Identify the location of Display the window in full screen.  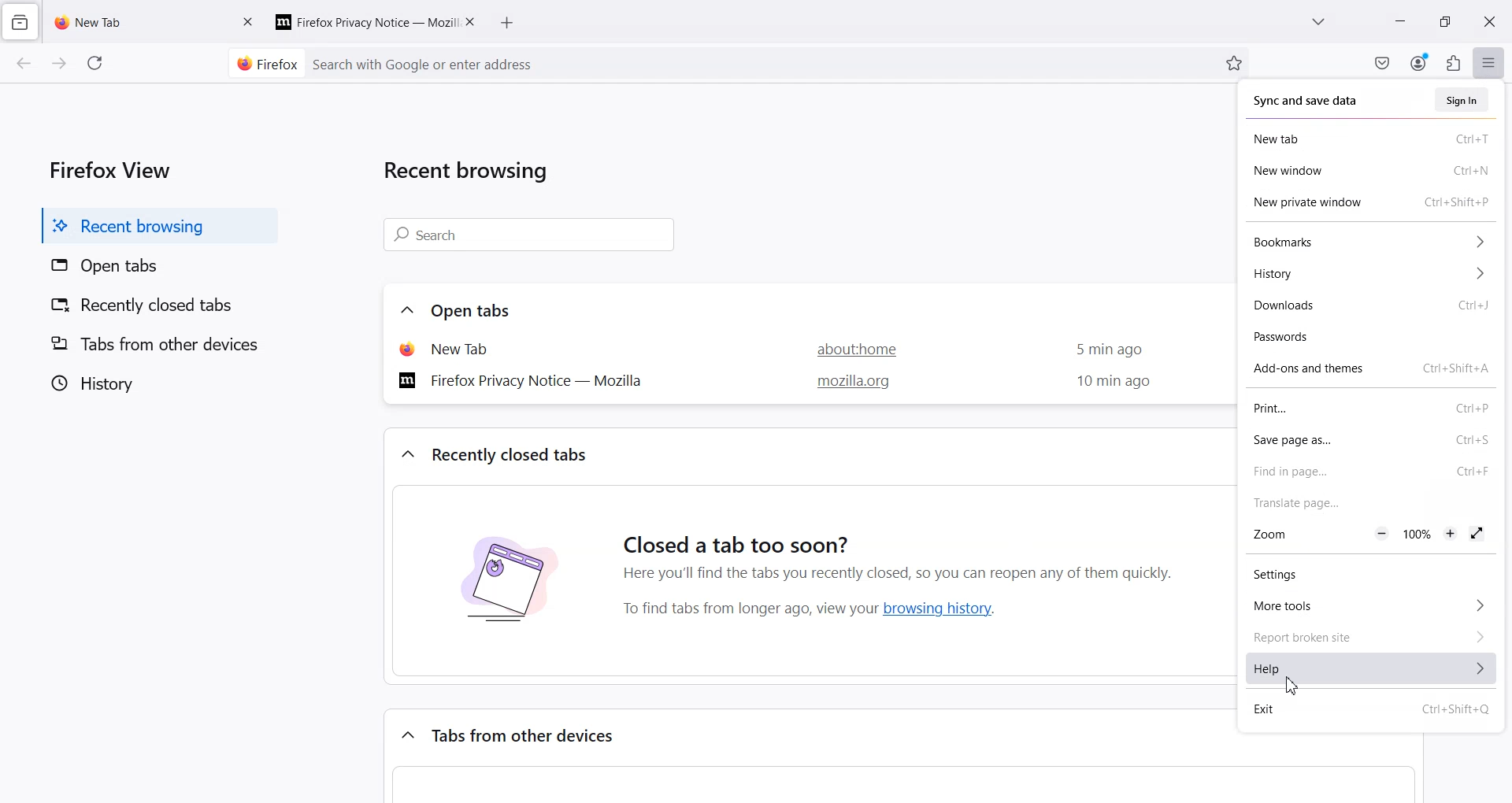
(1477, 533).